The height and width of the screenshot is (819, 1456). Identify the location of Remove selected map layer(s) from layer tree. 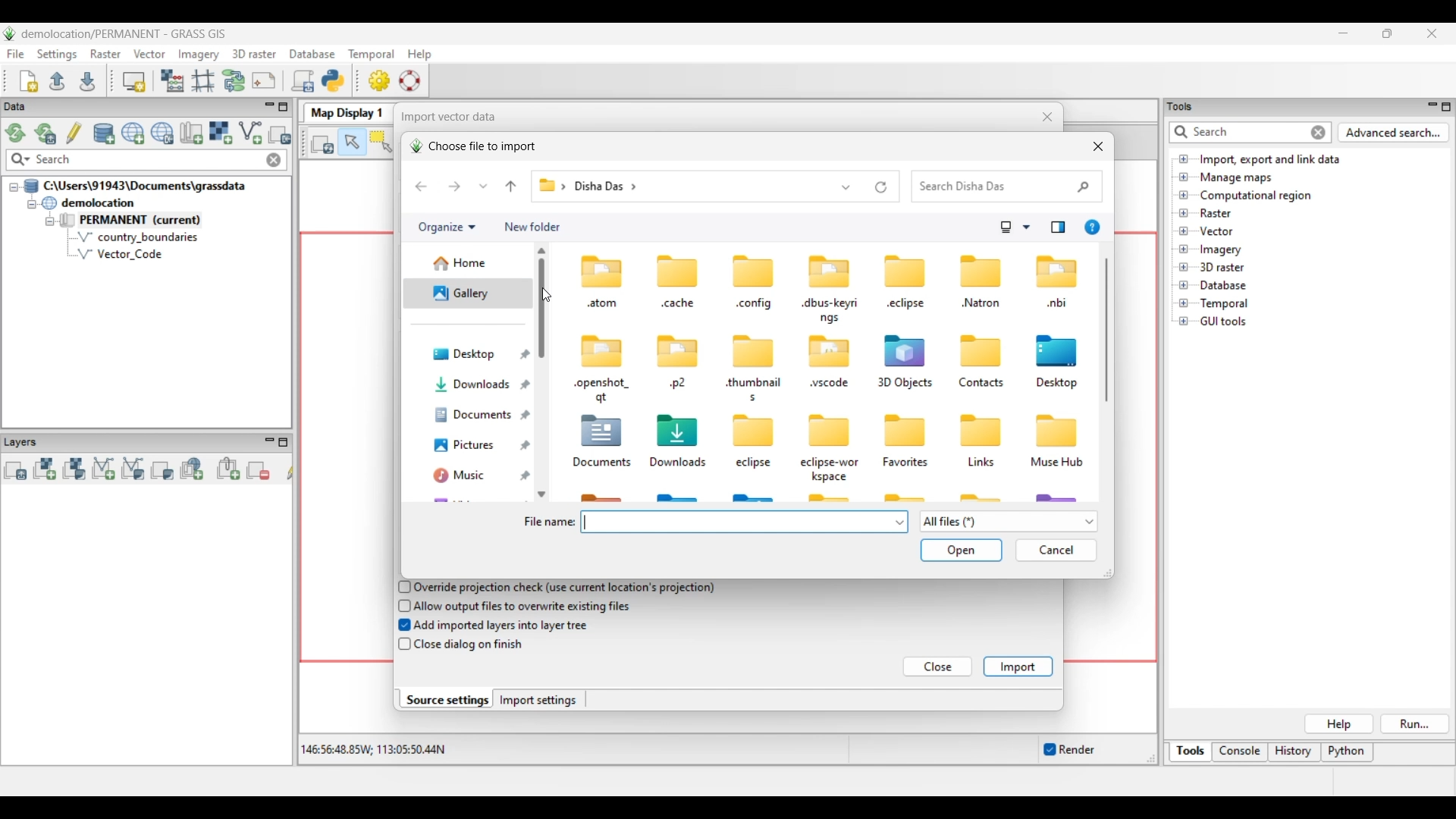
(259, 469).